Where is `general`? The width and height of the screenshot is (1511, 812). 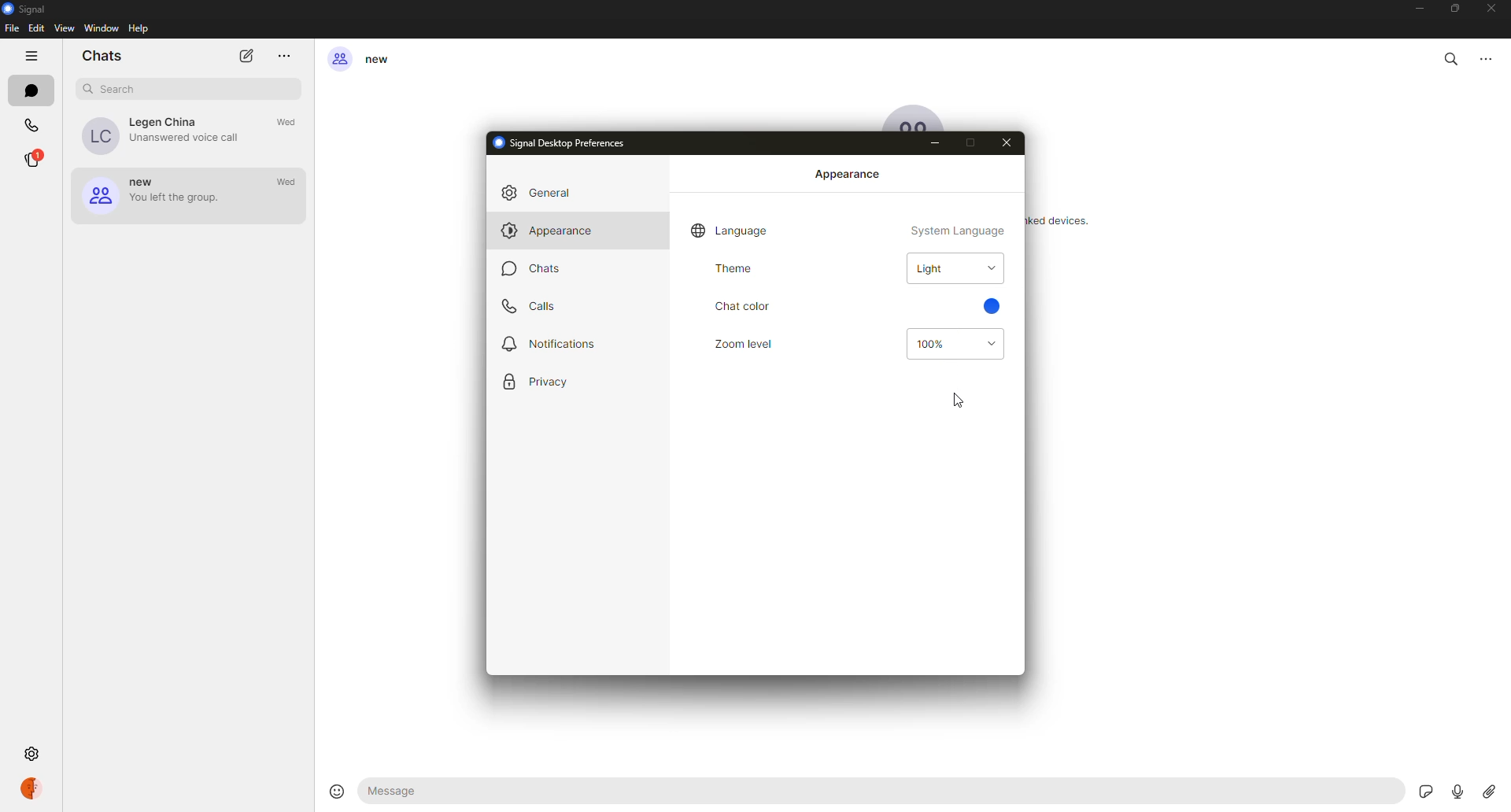 general is located at coordinates (543, 195).